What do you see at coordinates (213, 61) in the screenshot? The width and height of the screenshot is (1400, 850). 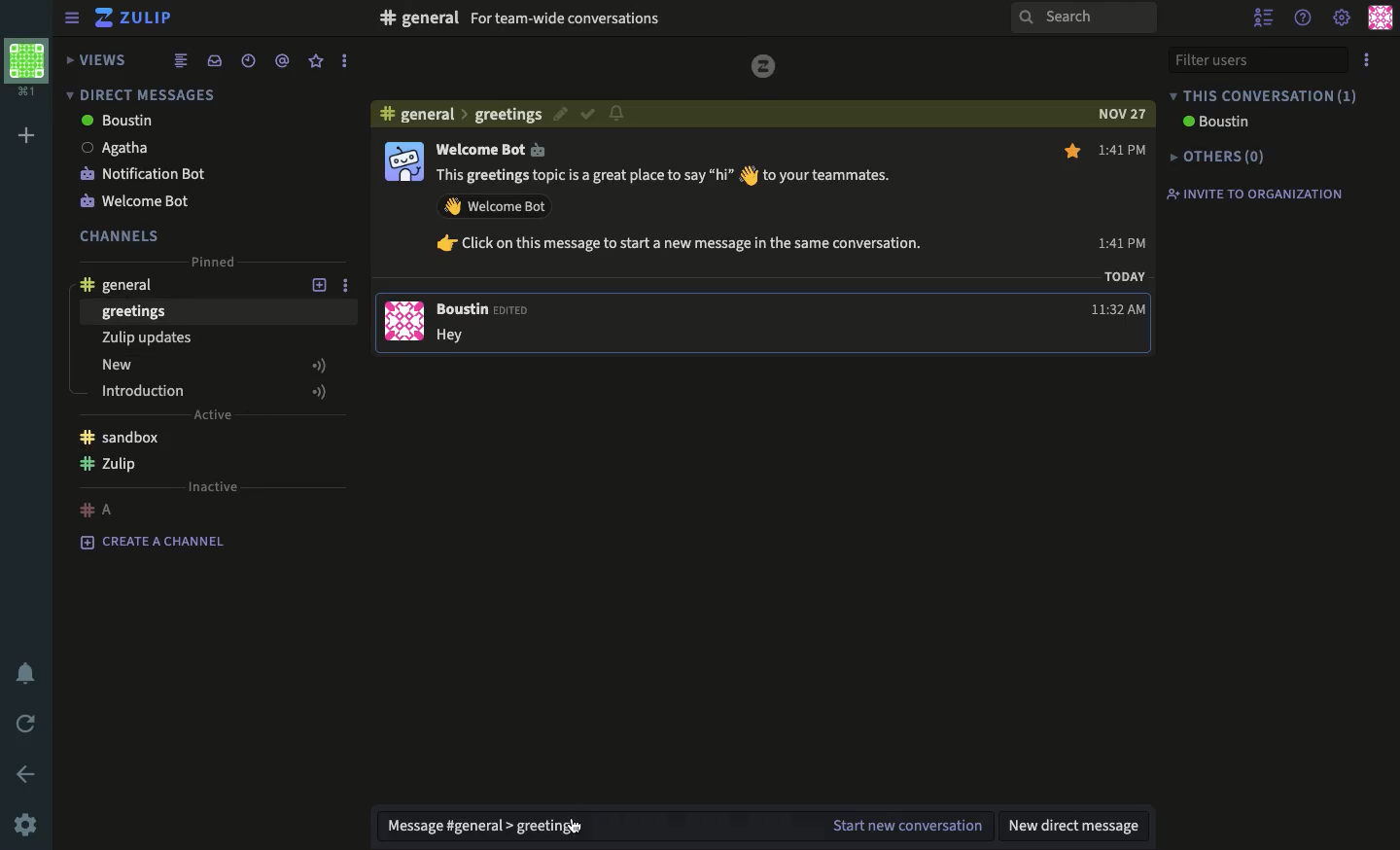 I see `inbox` at bounding box center [213, 61].